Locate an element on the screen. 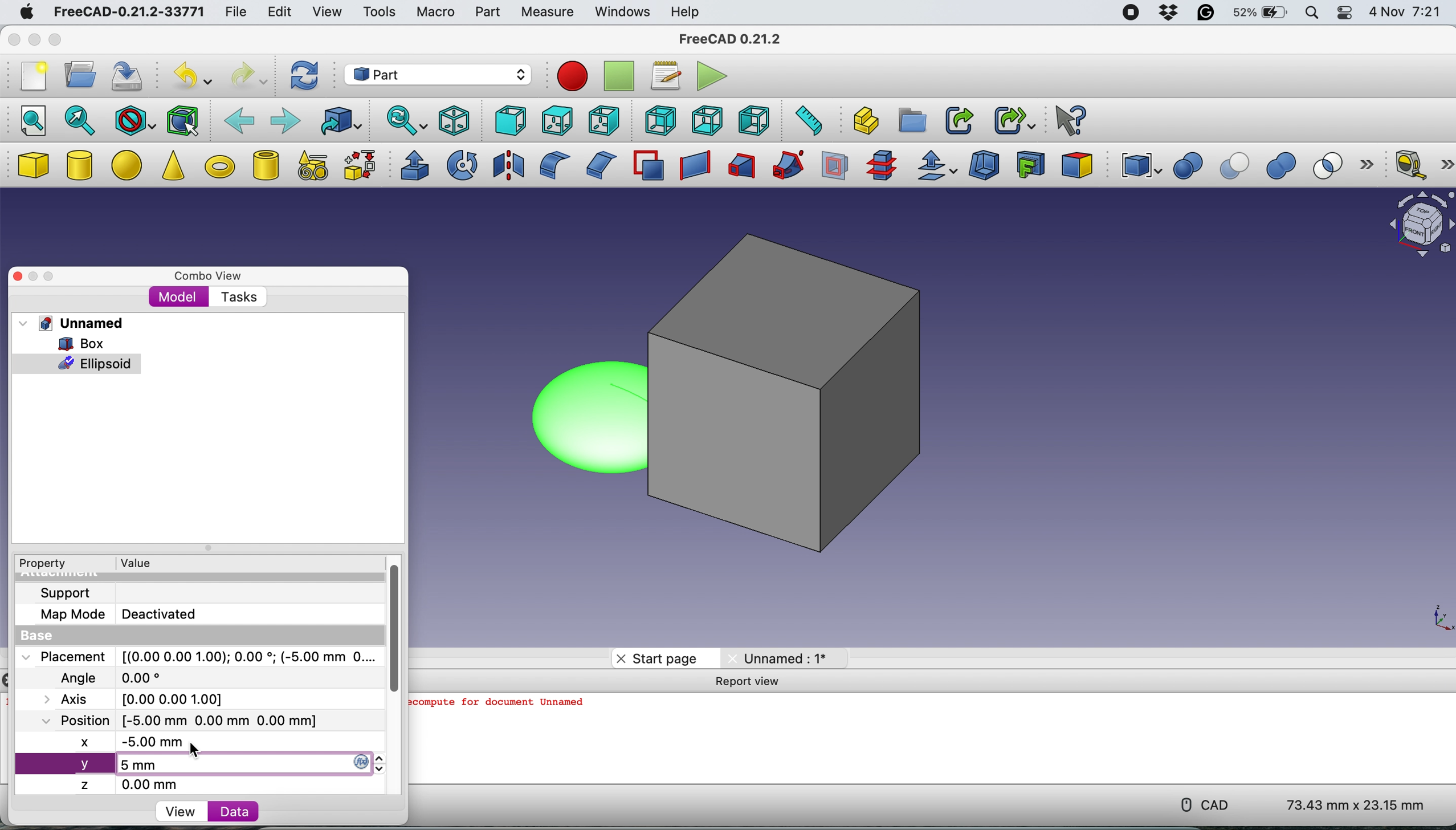  edit is located at coordinates (276, 13).